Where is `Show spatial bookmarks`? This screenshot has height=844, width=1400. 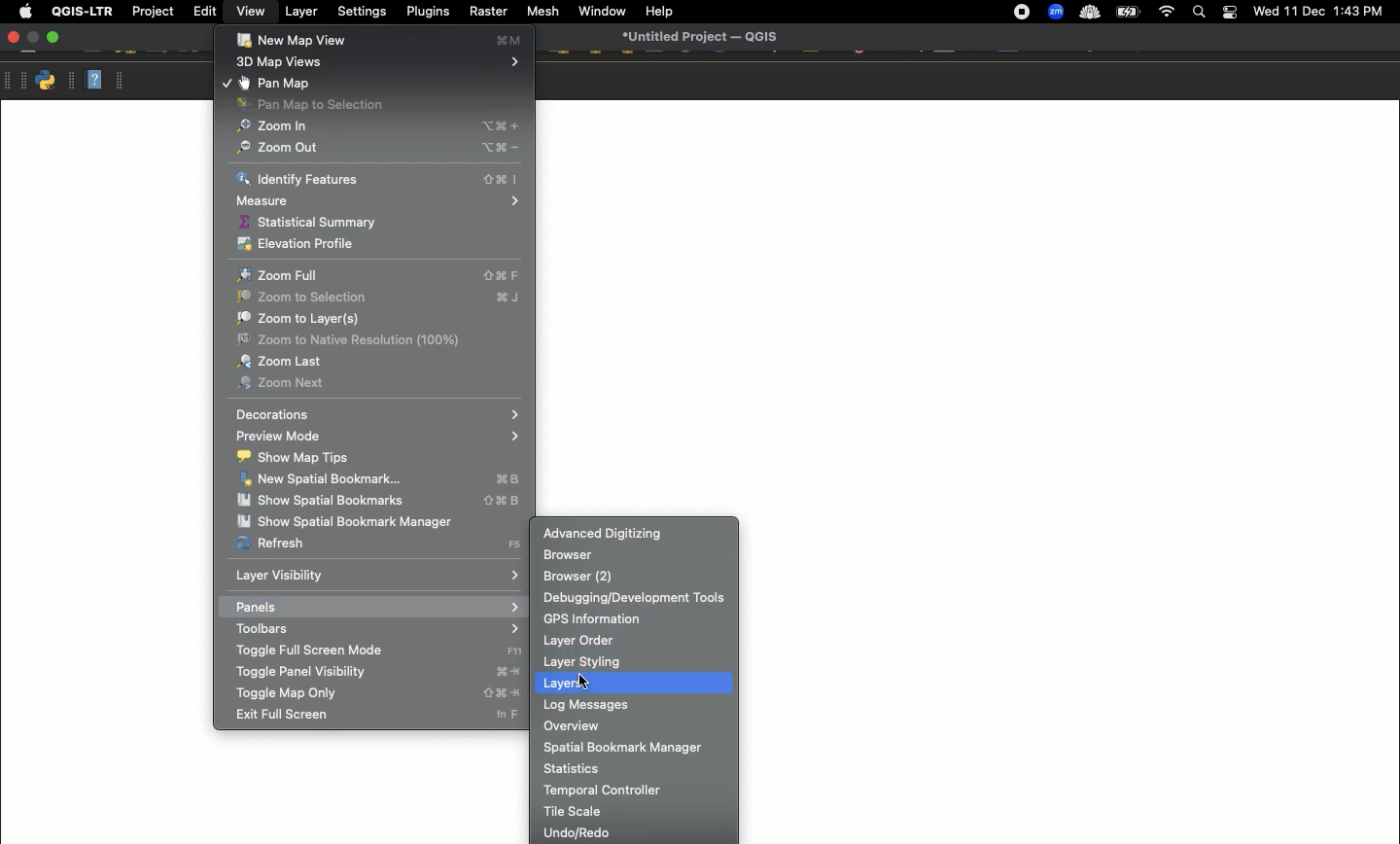 Show spatial bookmarks is located at coordinates (380, 502).